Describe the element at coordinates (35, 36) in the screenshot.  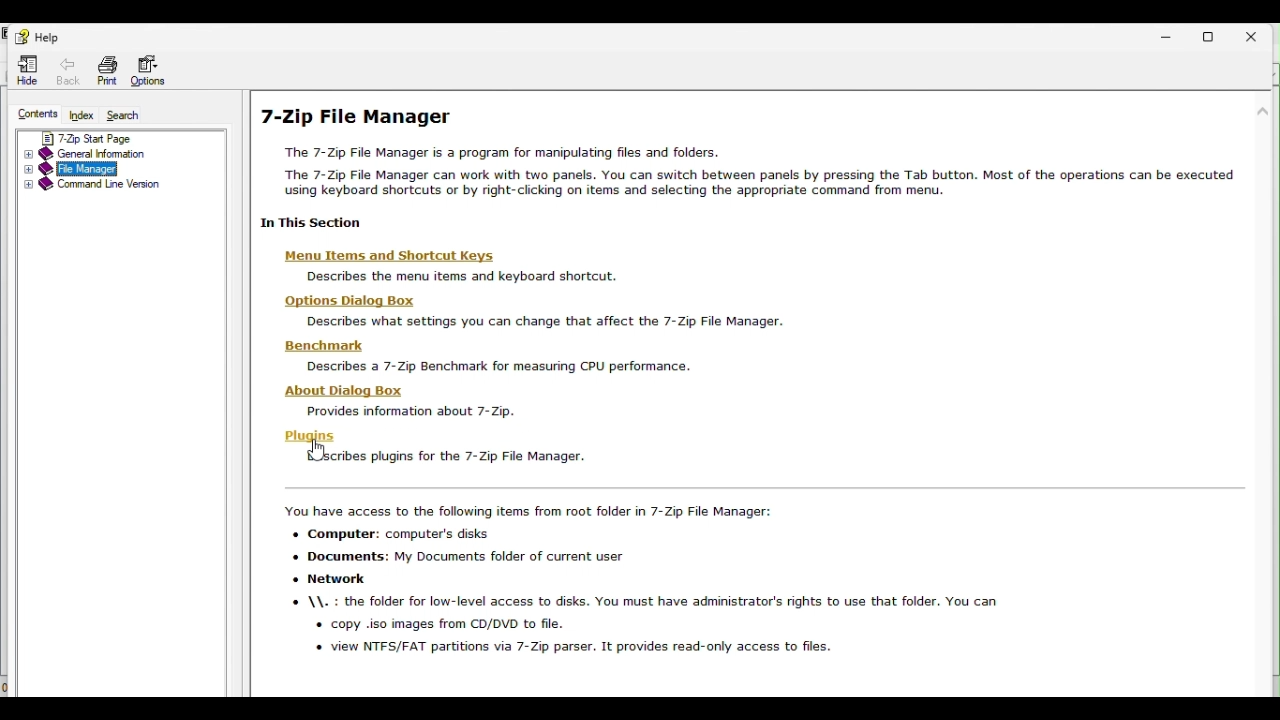
I see `help` at that location.